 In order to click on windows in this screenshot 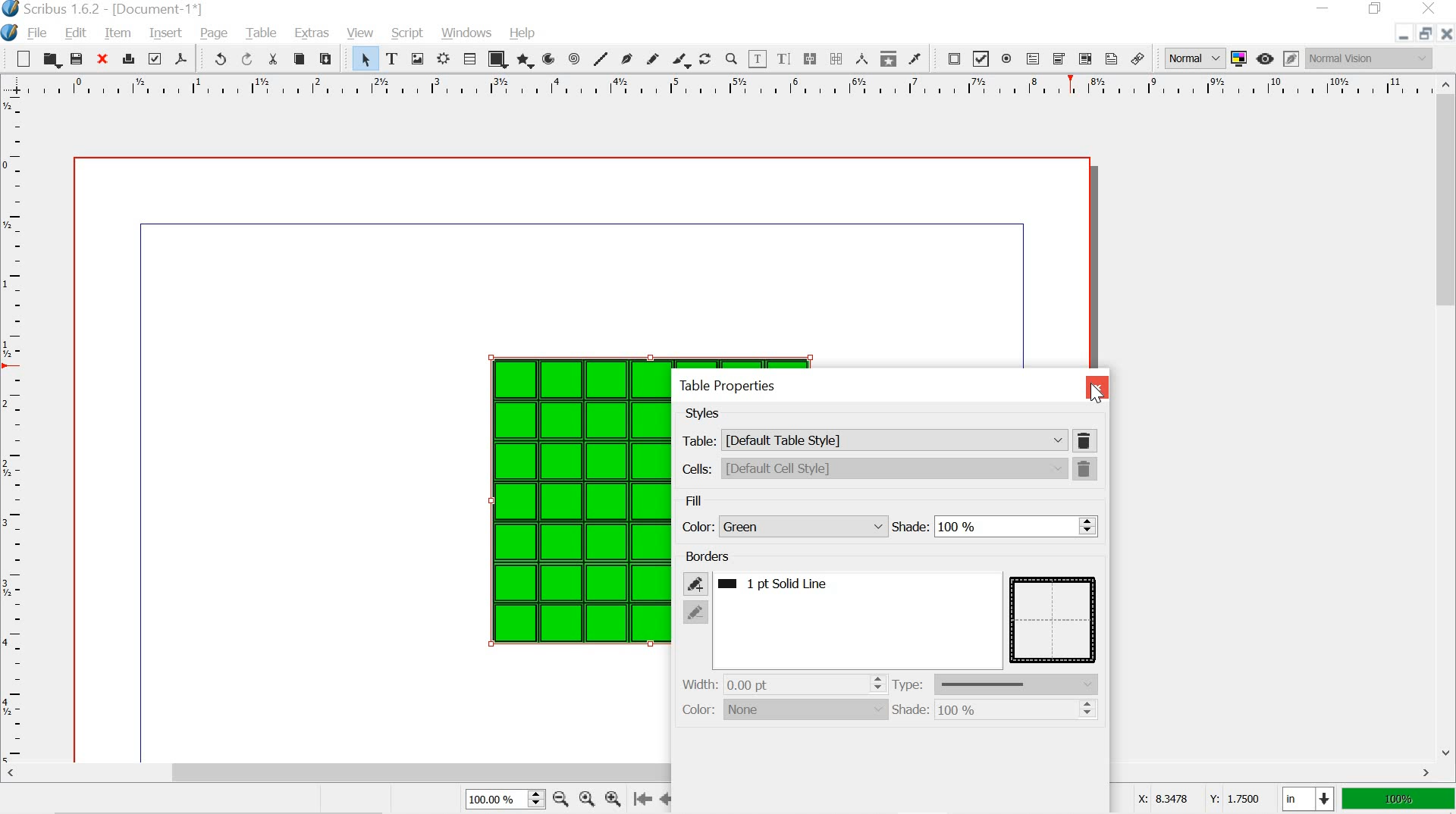, I will do `click(469, 33)`.